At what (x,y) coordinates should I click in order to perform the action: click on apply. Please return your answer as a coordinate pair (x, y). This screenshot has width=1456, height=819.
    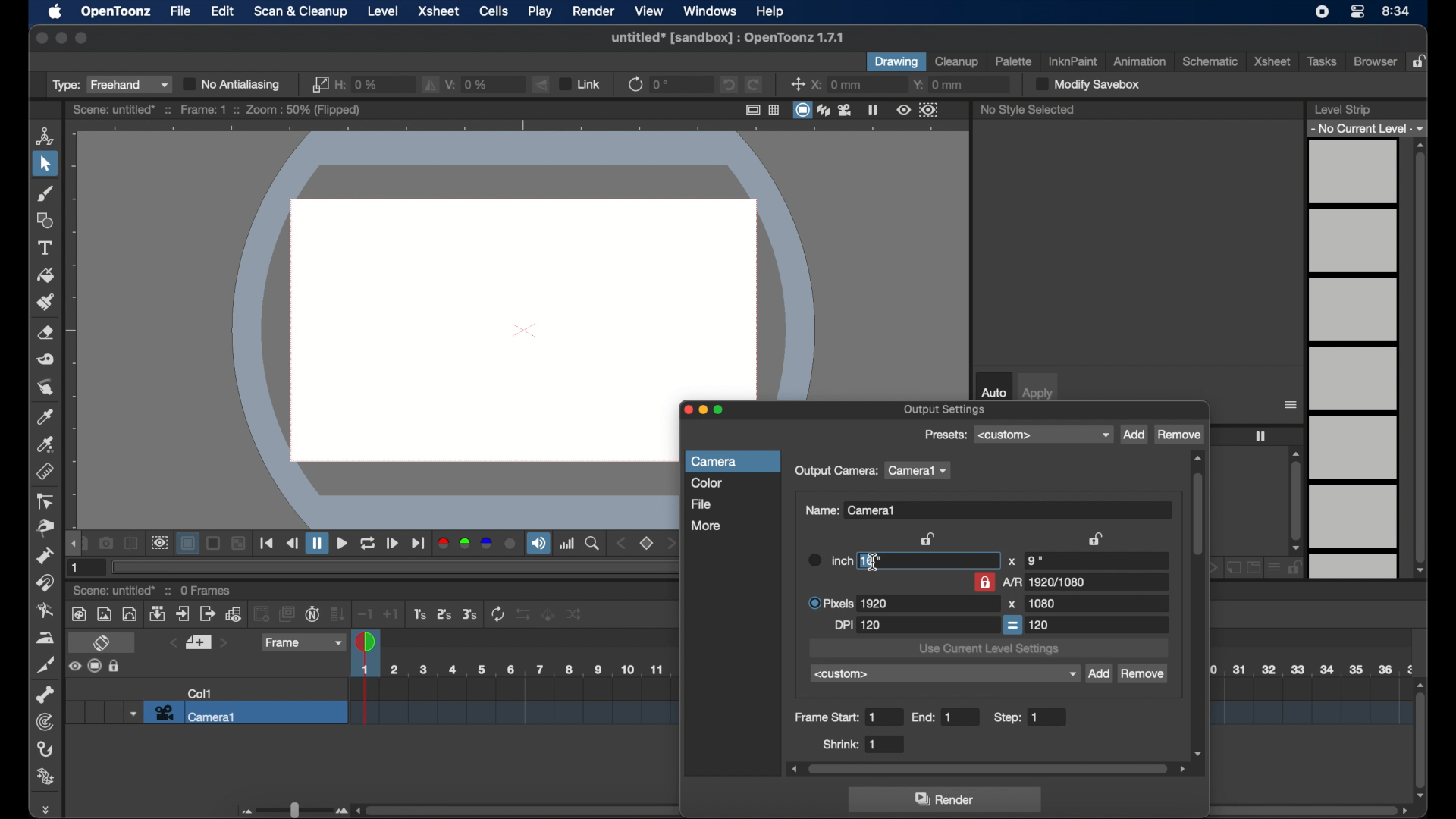
    Looking at the image, I should click on (1038, 394).